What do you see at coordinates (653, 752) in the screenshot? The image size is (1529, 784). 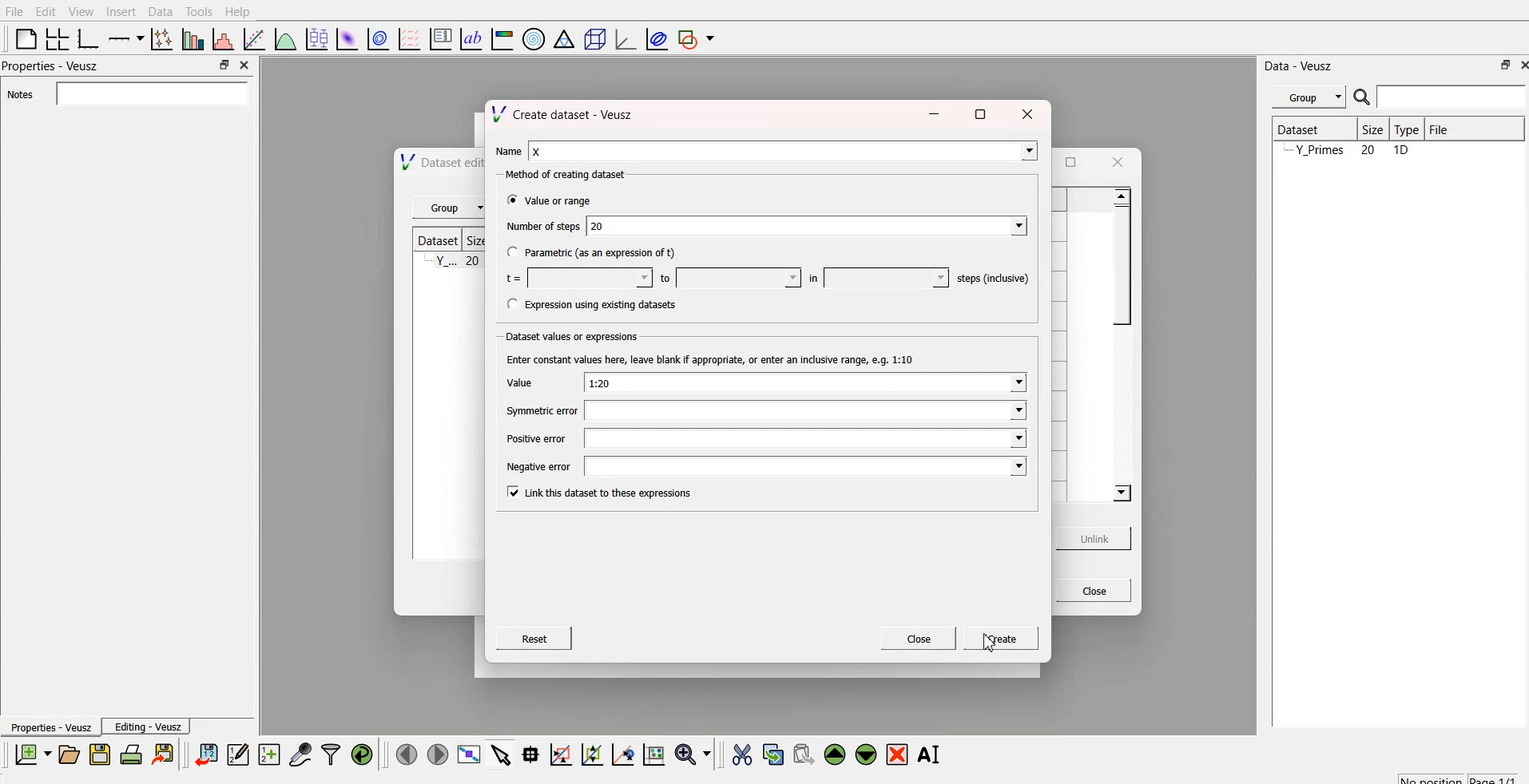 I see `reset graph axes` at bounding box center [653, 752].